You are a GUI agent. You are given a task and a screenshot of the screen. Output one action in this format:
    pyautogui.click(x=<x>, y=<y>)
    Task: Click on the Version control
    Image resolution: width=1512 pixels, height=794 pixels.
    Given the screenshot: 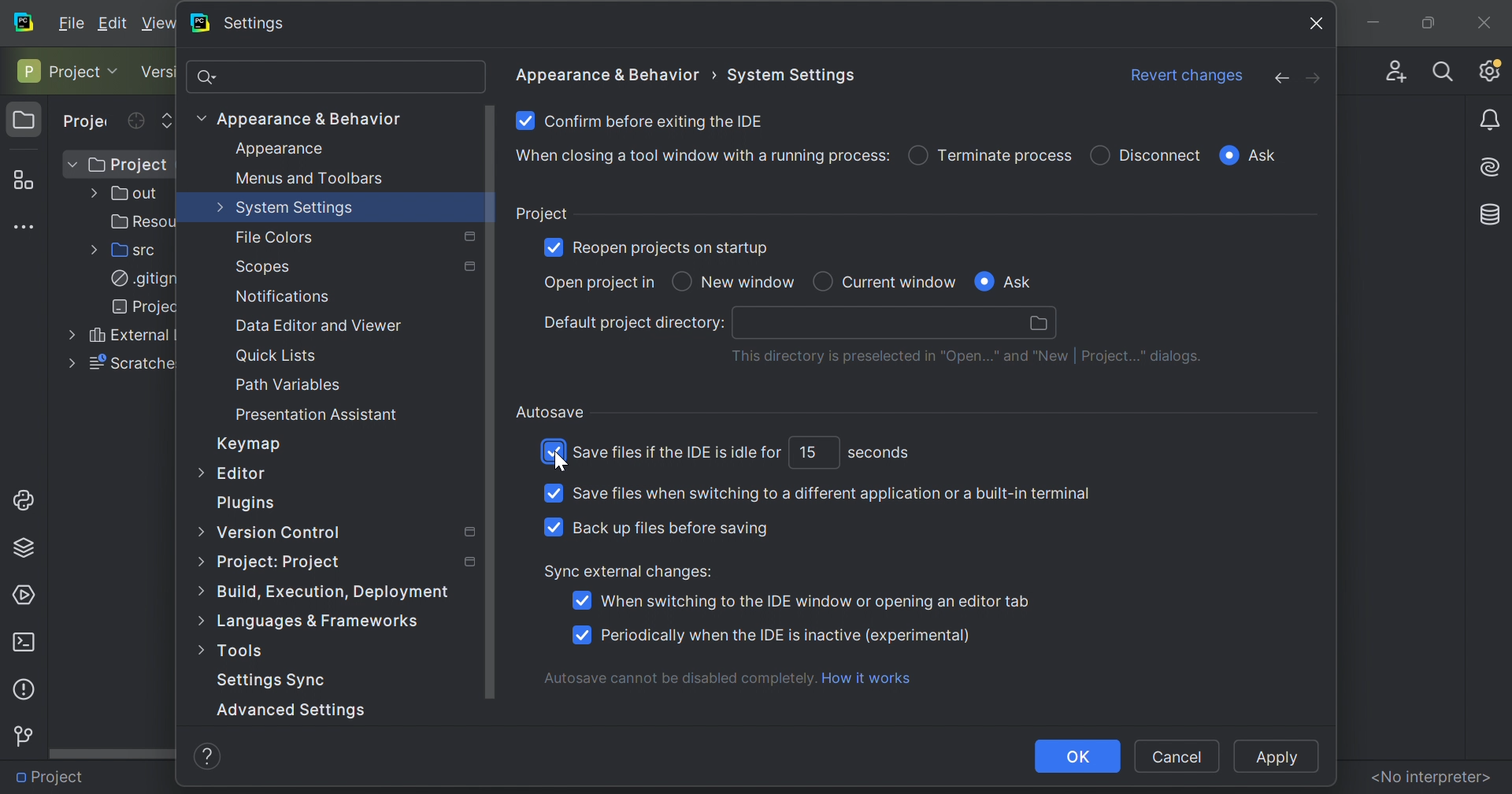 What is the action you would take?
    pyautogui.click(x=22, y=736)
    